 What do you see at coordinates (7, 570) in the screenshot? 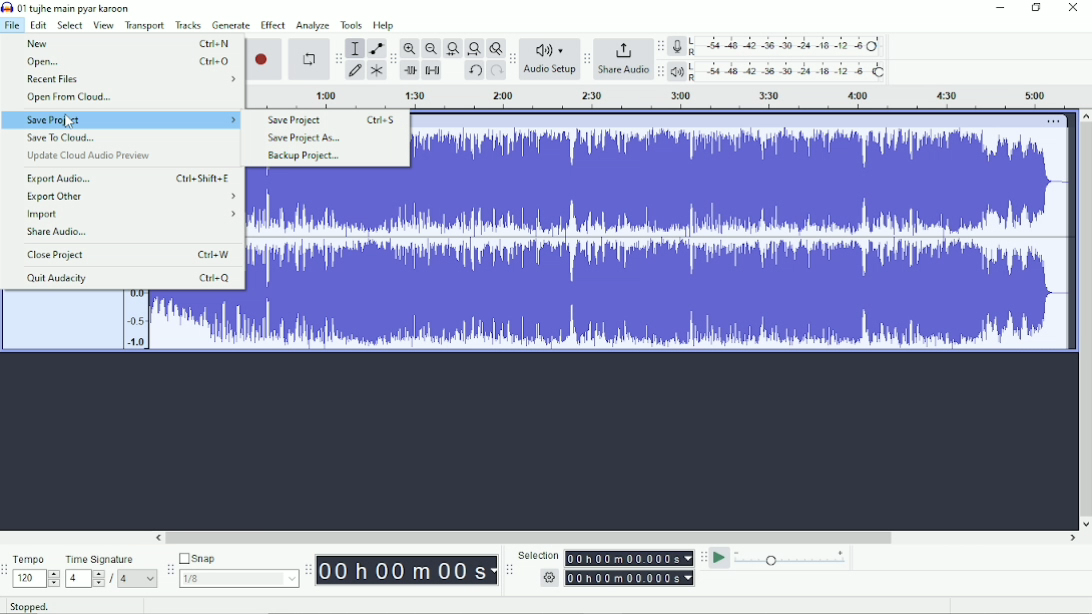
I see `Audacity time signature toolbar` at bounding box center [7, 570].